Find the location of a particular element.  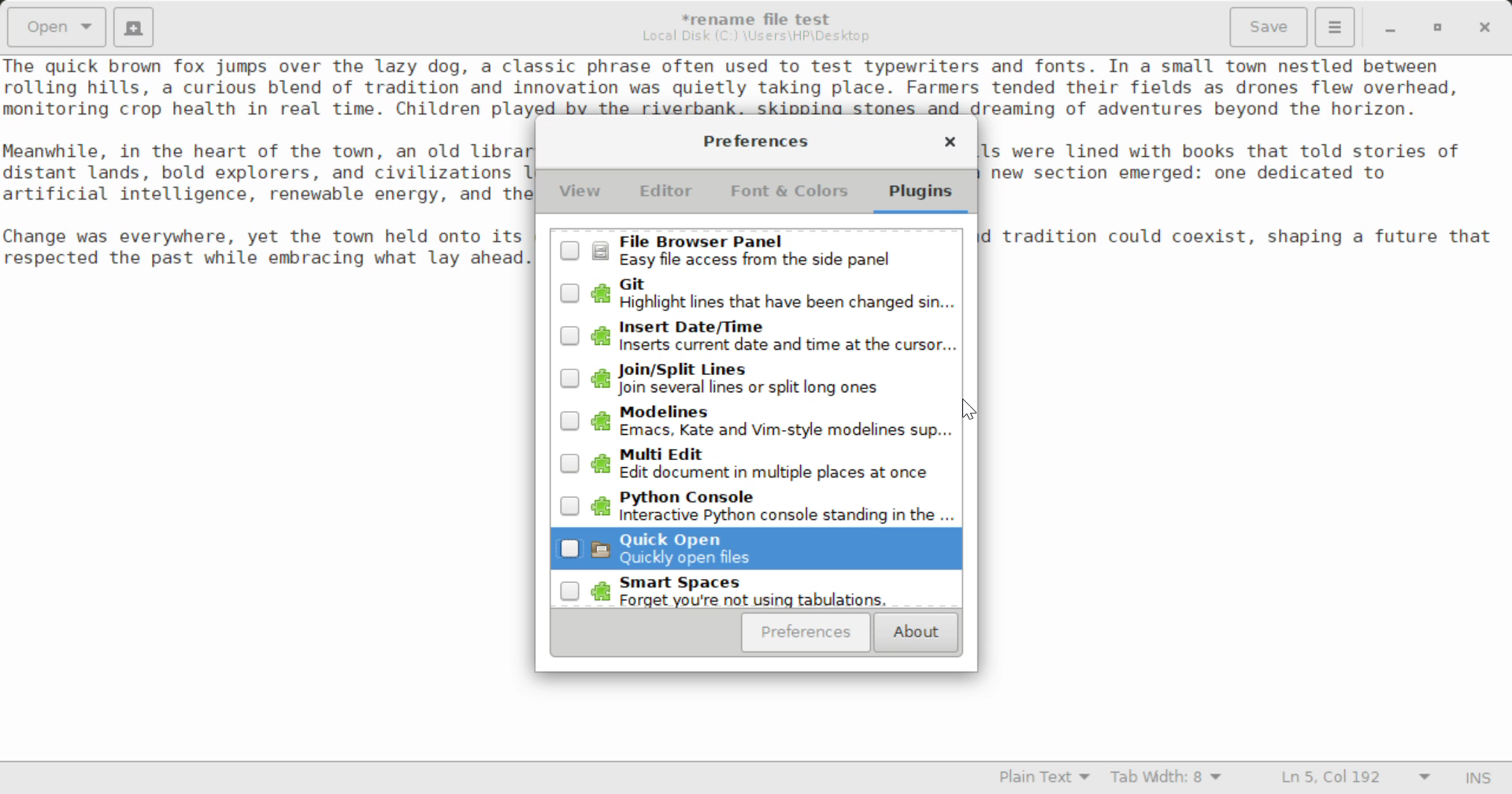

Plugins Tab Selected is located at coordinates (925, 197).